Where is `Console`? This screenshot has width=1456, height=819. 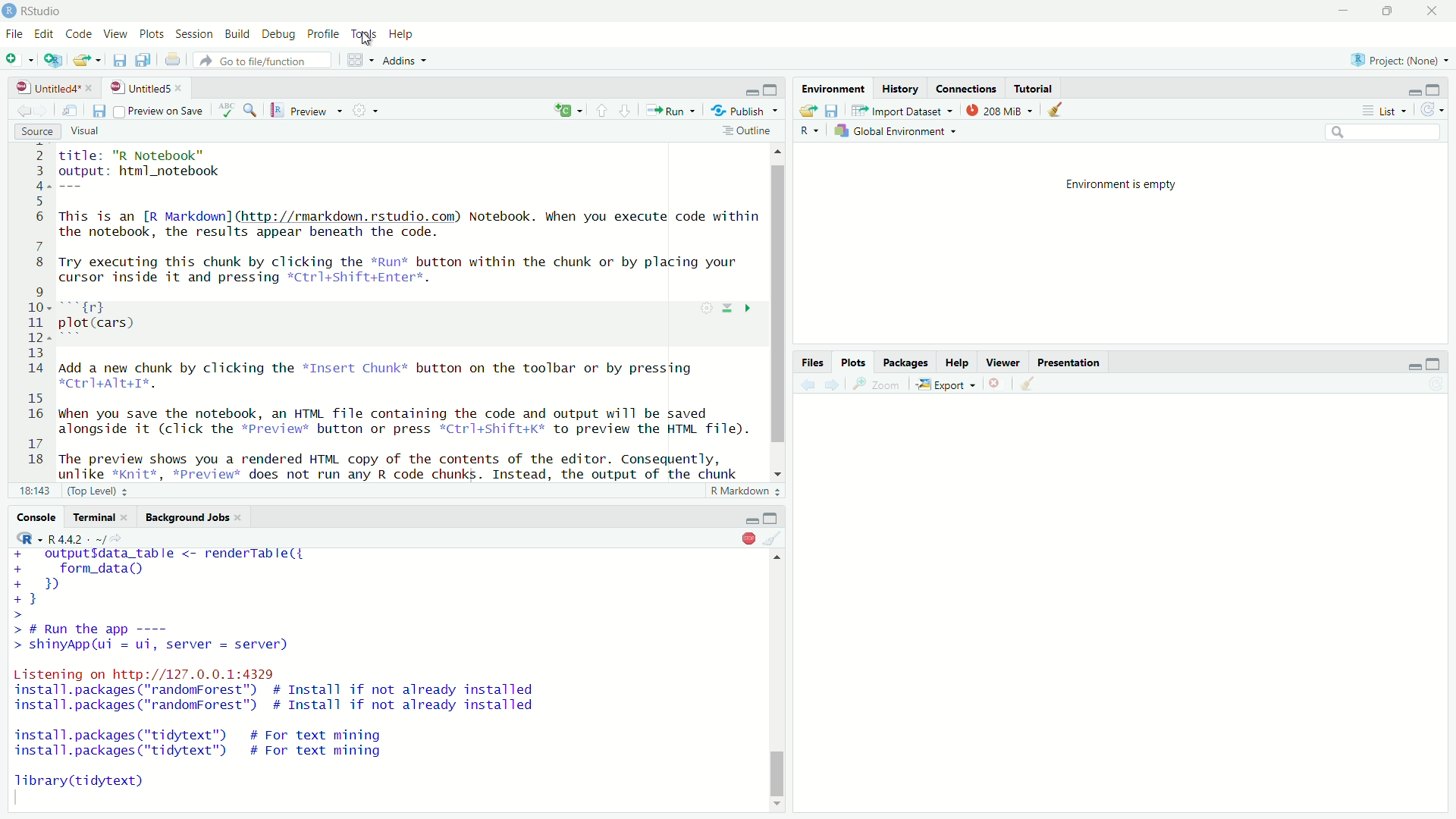 Console is located at coordinates (36, 516).